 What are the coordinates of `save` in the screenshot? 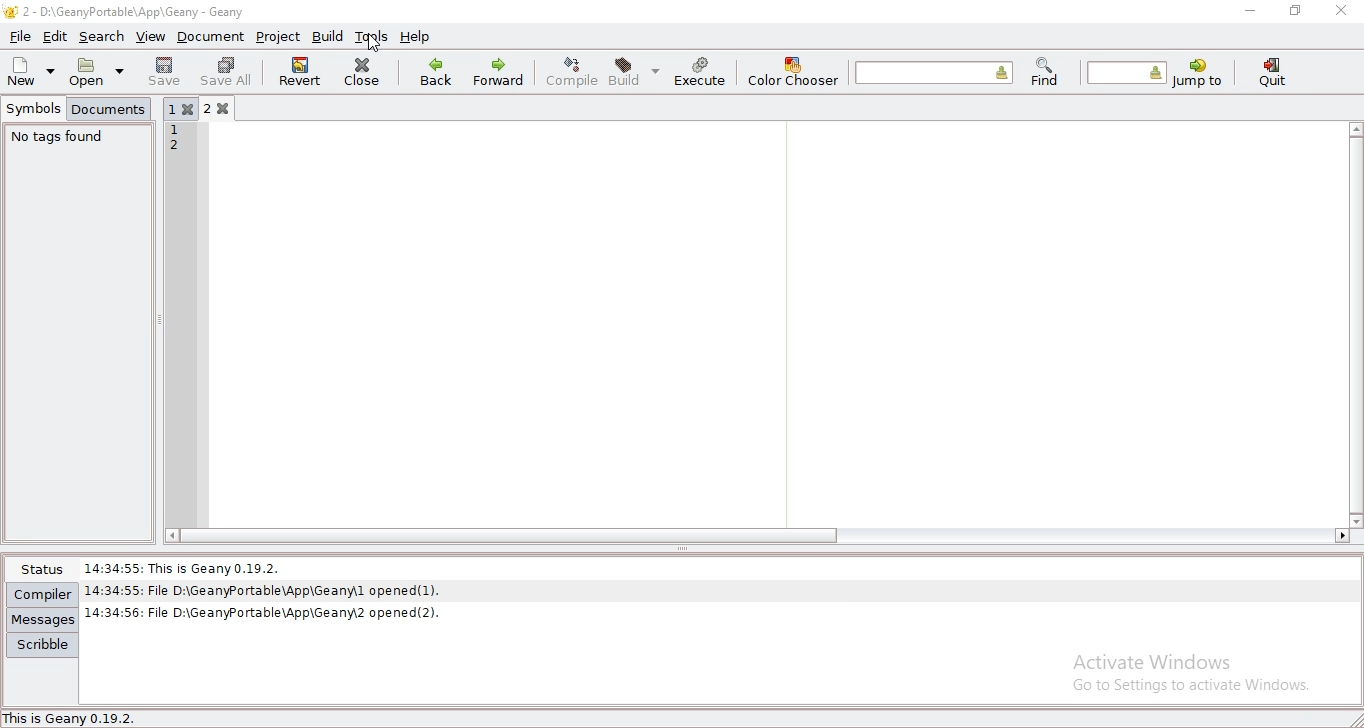 It's located at (166, 71).